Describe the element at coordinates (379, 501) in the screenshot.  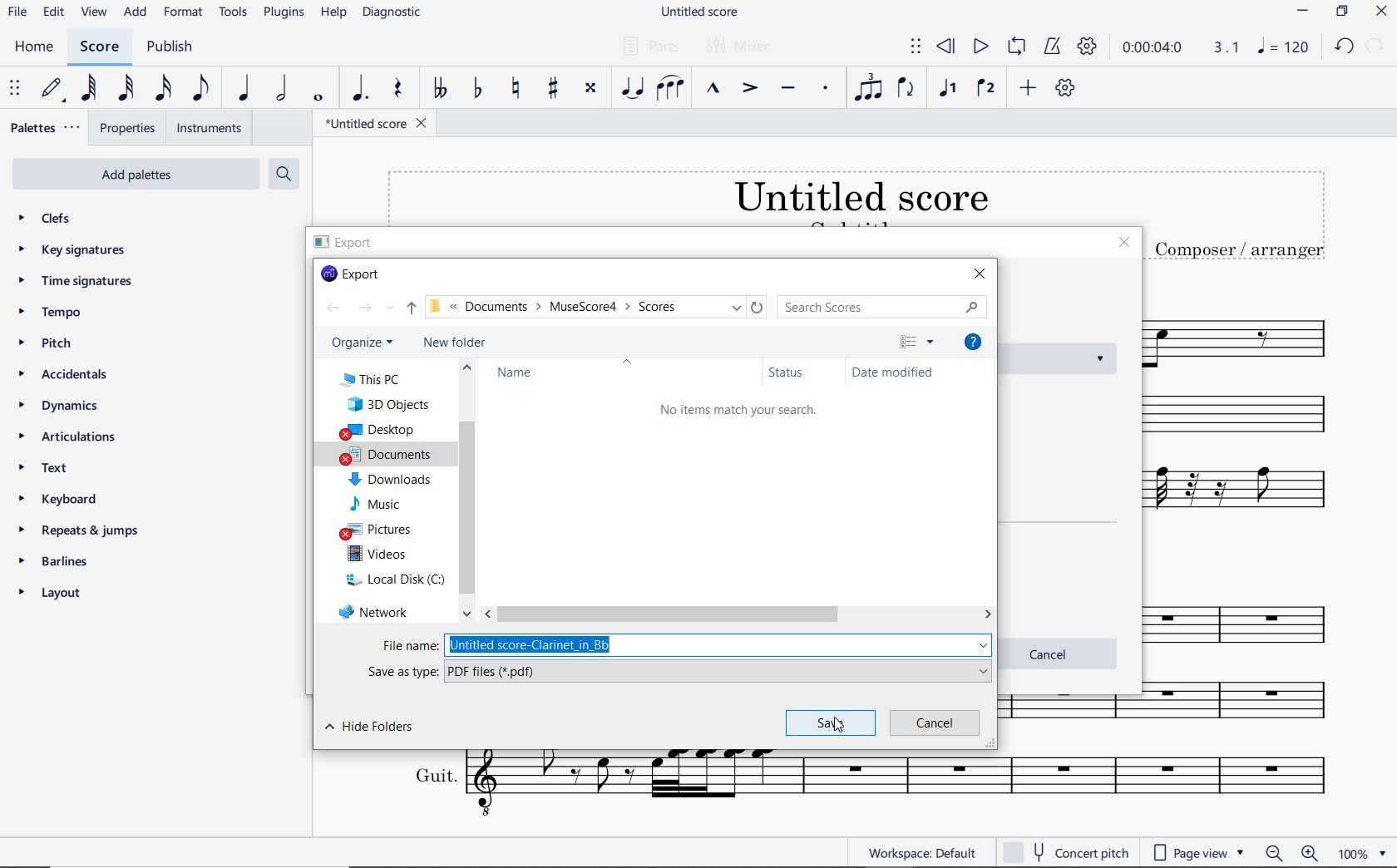
I see `music` at that location.